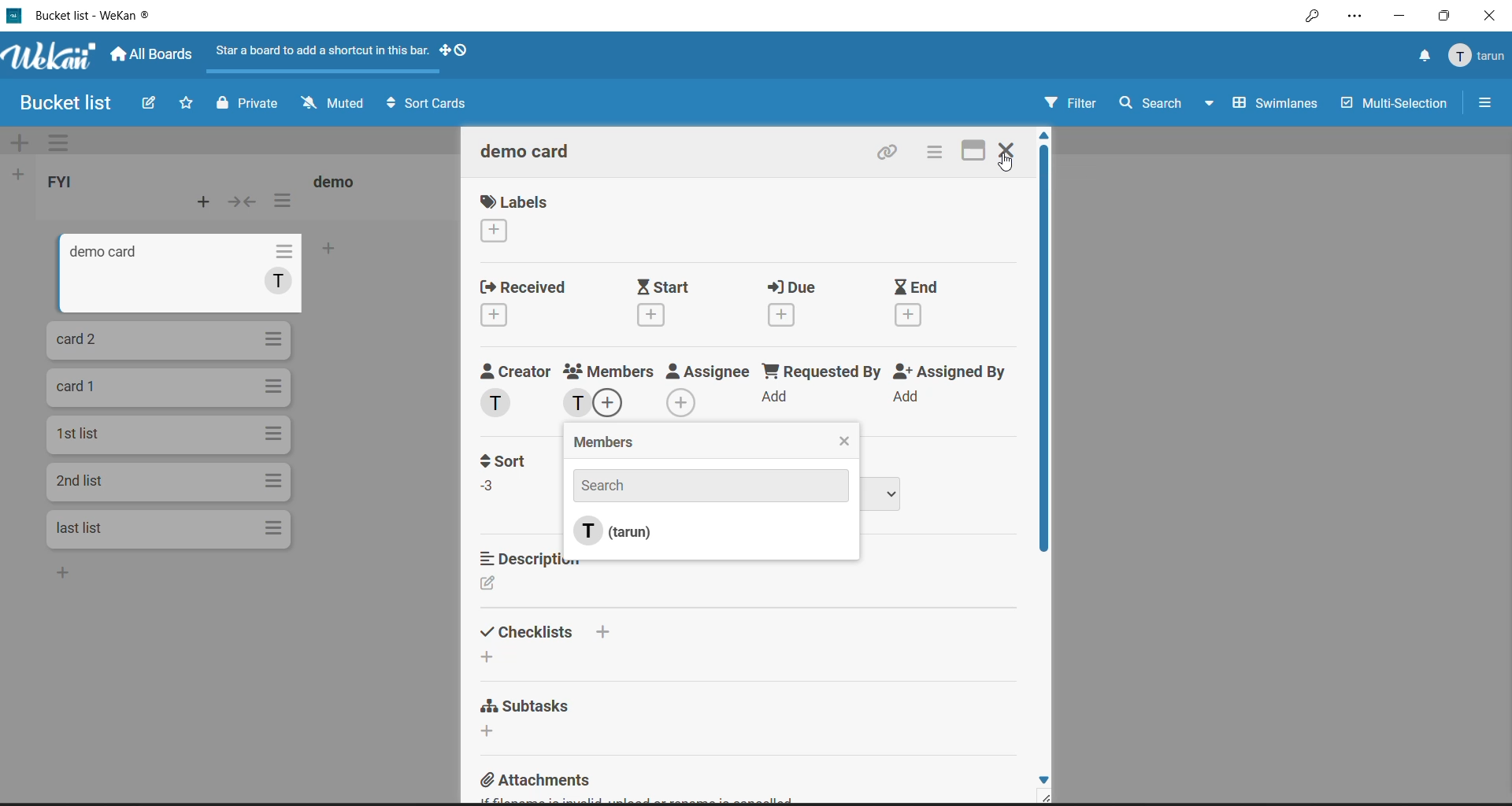  Describe the element at coordinates (1447, 13) in the screenshot. I see `maximize` at that location.